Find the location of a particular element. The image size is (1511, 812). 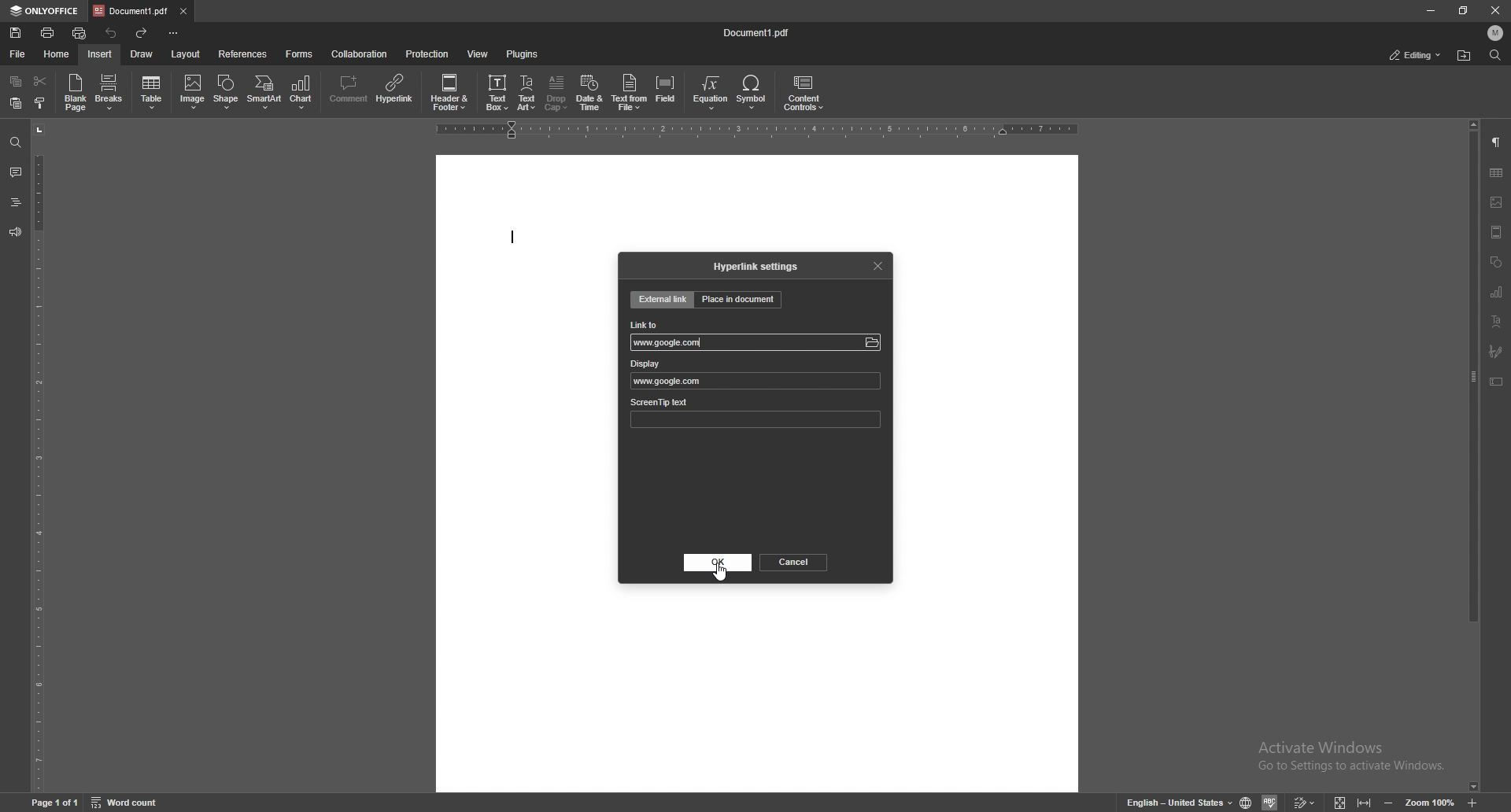

field is located at coordinates (666, 92).